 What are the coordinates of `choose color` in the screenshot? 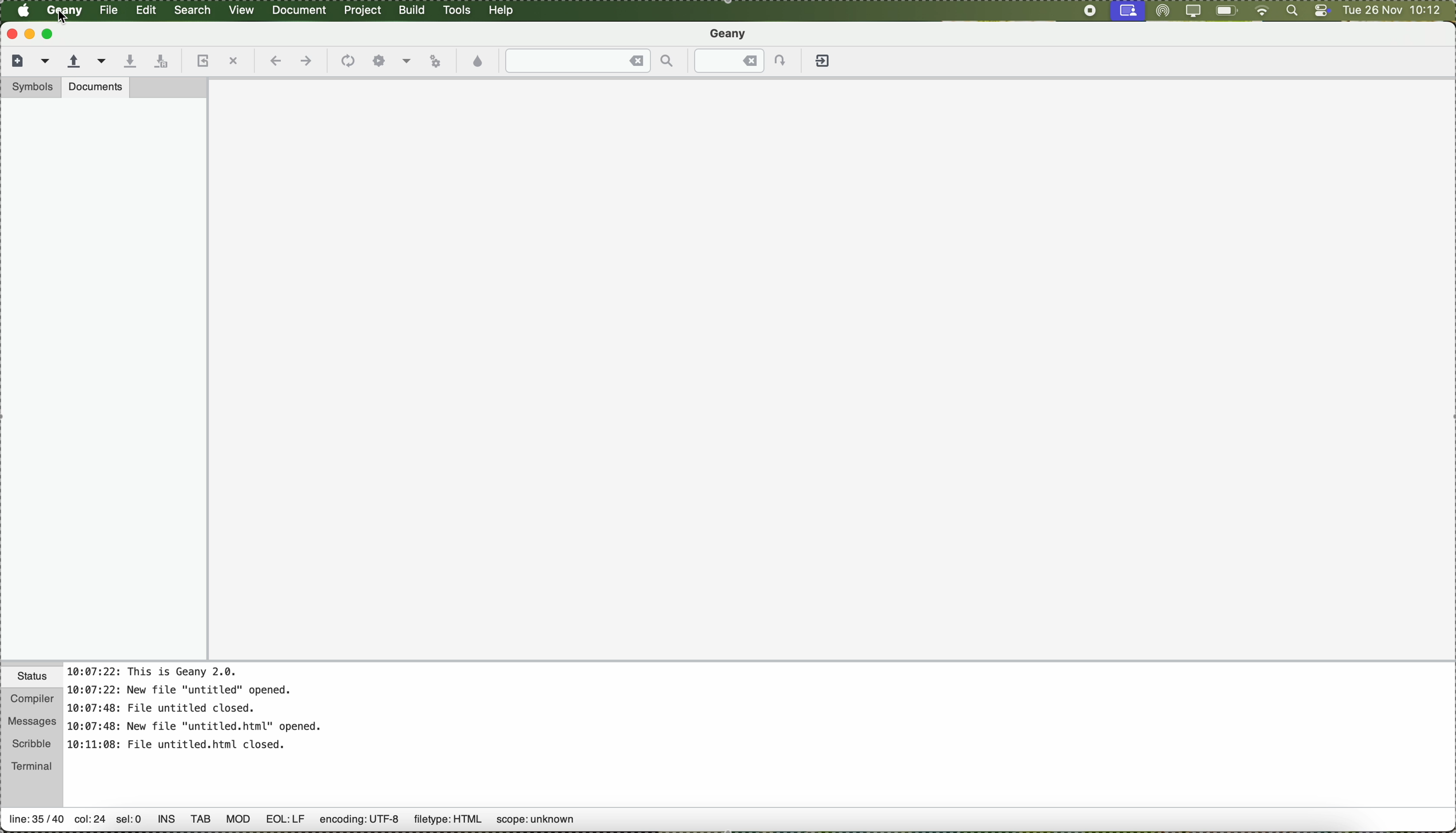 It's located at (479, 62).